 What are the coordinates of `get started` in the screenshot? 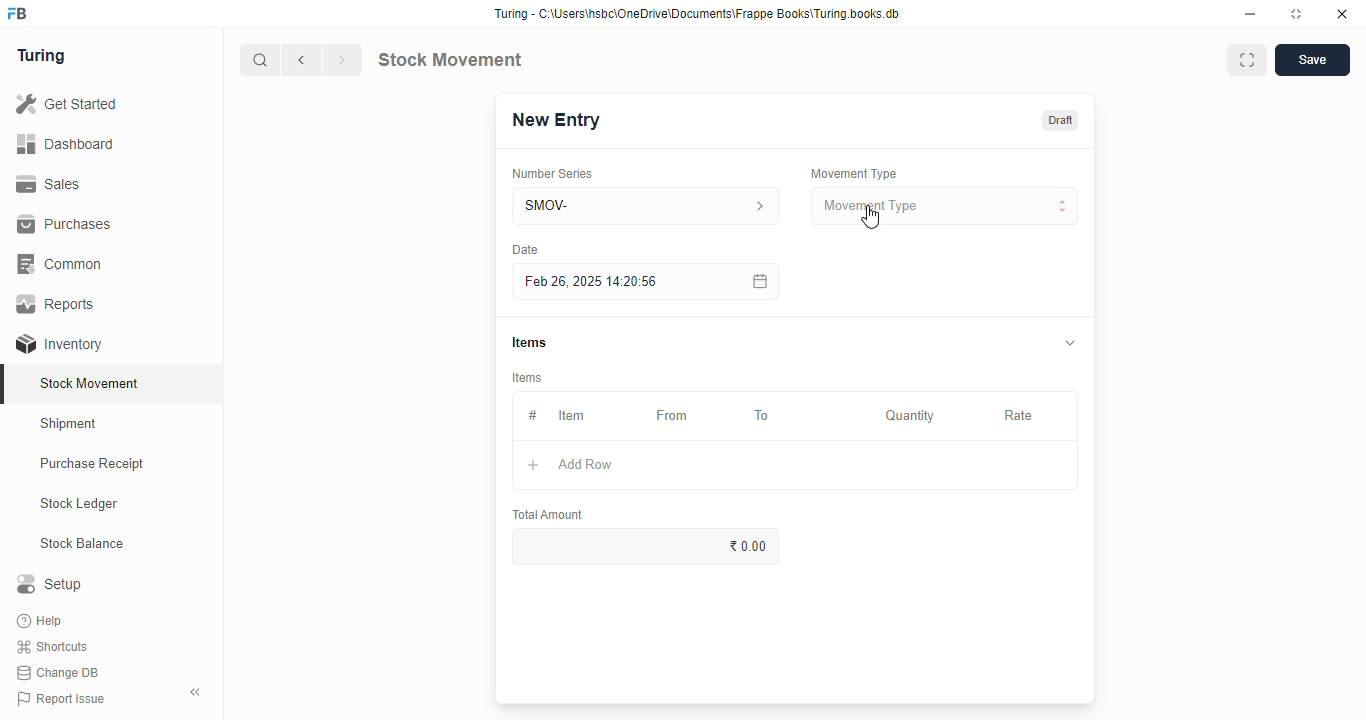 It's located at (68, 104).